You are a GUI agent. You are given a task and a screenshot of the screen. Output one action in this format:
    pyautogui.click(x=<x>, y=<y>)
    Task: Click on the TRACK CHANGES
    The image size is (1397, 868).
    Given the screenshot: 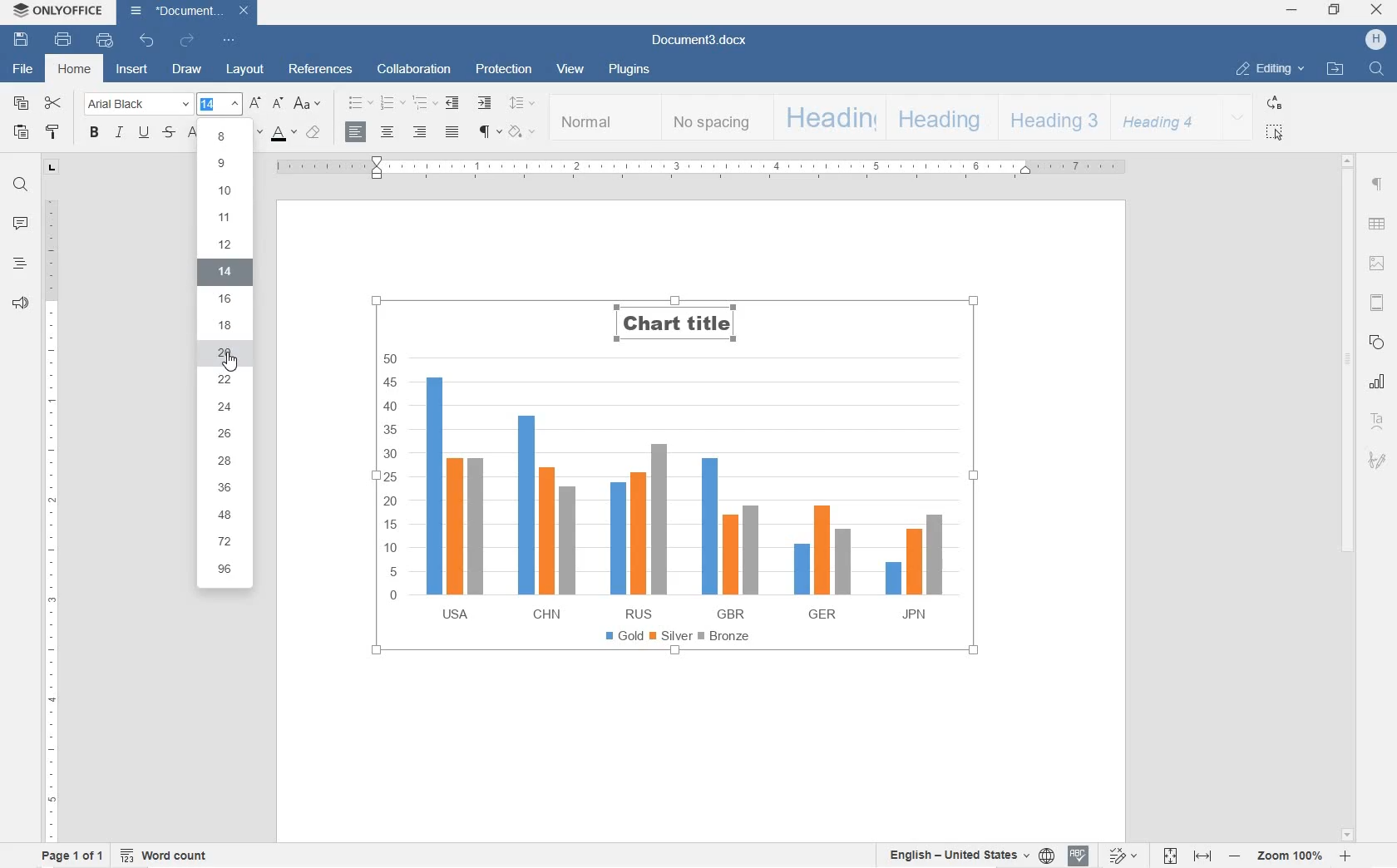 What is the action you would take?
    pyautogui.click(x=1121, y=856)
    